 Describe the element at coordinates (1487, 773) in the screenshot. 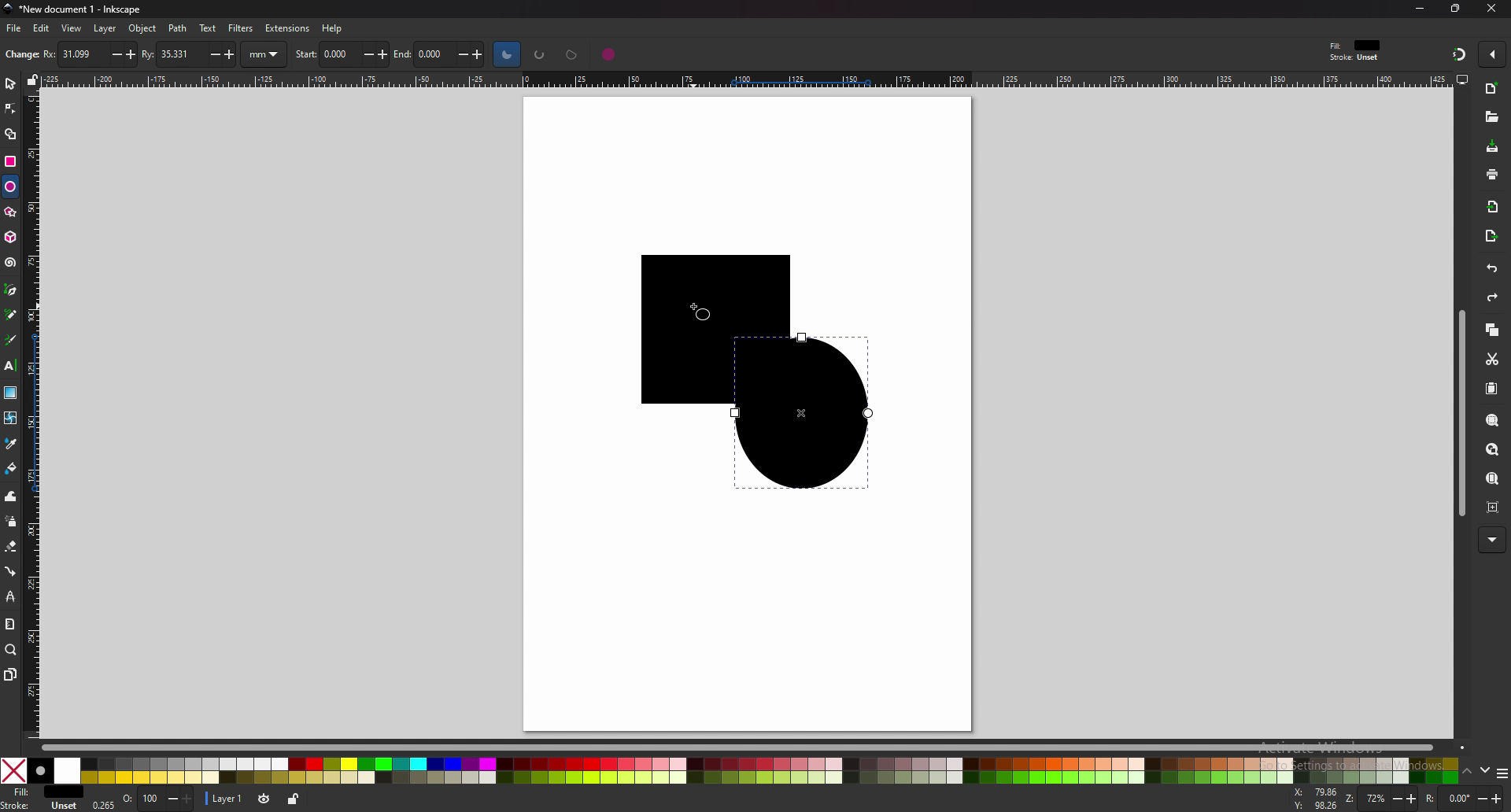

I see `down` at that location.